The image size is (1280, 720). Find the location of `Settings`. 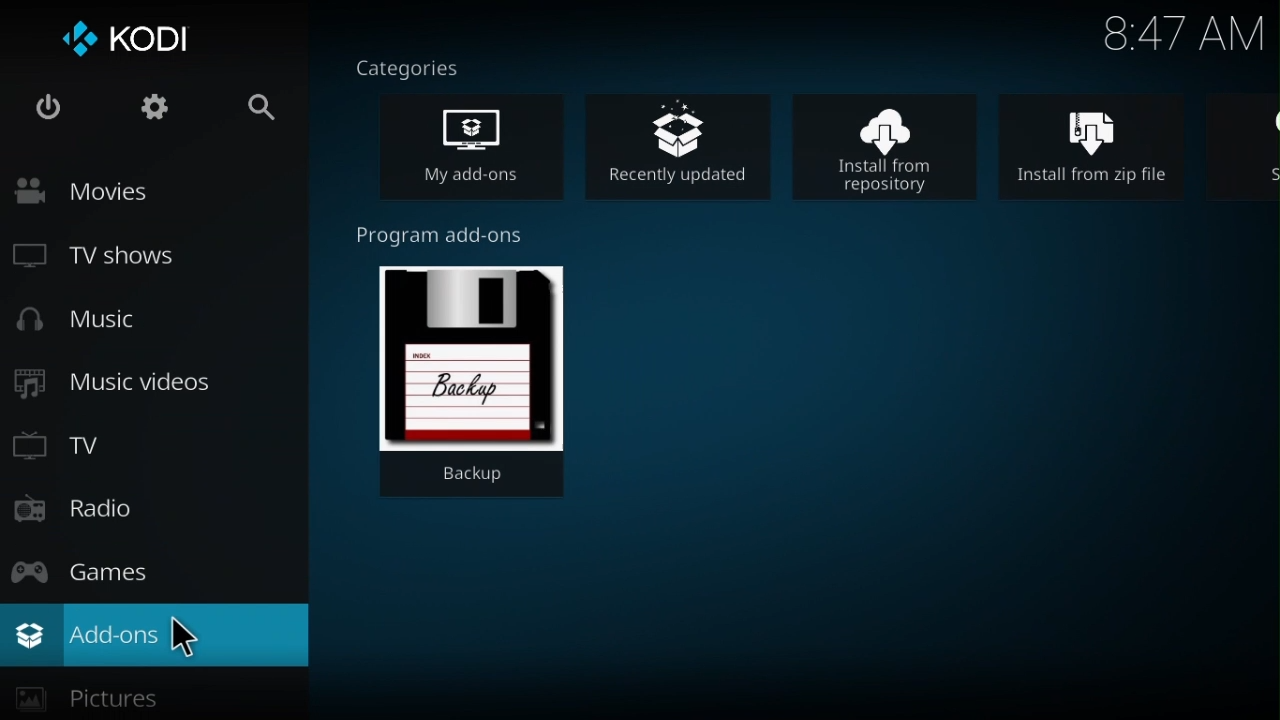

Settings is located at coordinates (146, 112).